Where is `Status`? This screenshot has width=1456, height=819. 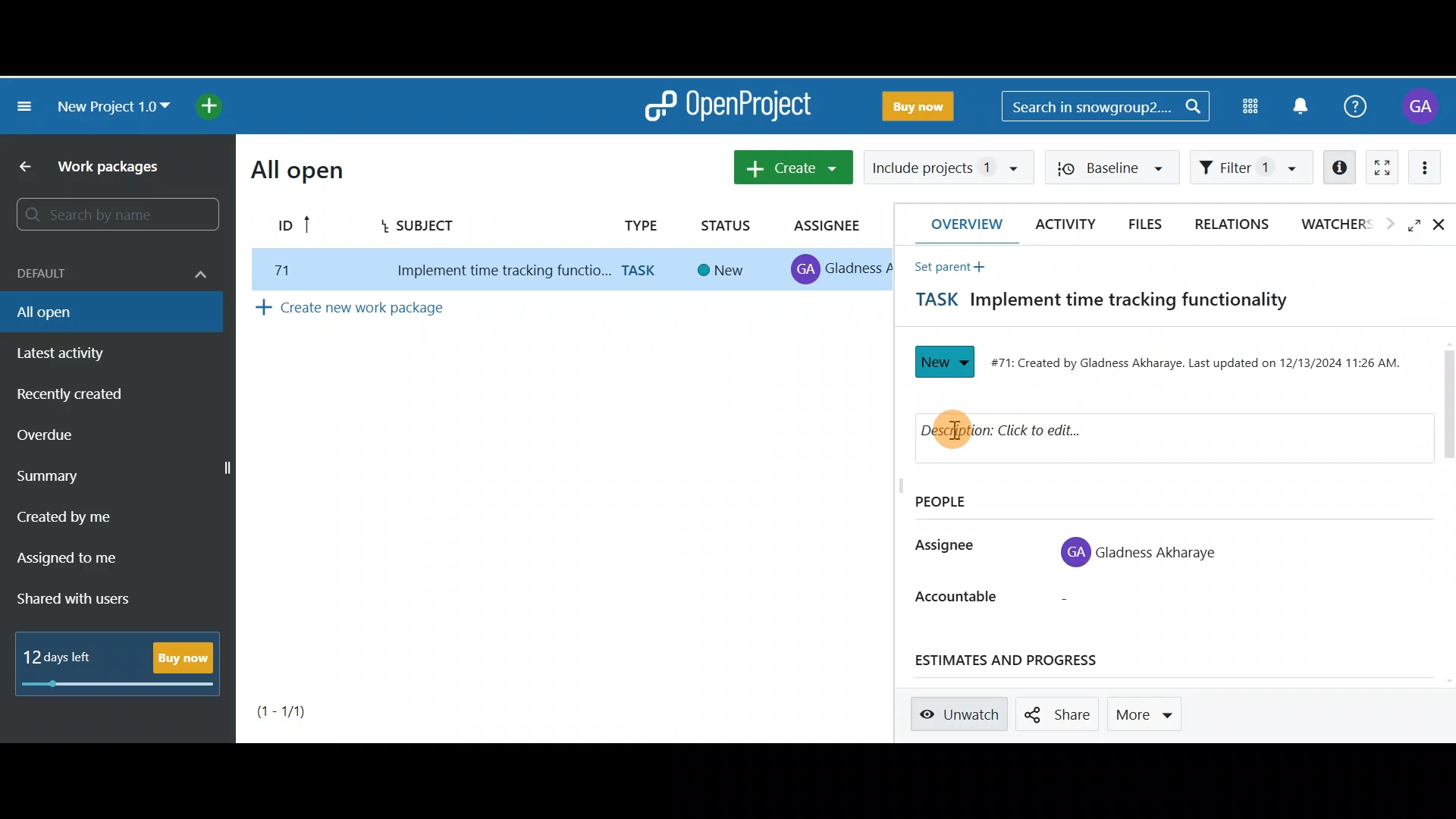 Status is located at coordinates (727, 222).